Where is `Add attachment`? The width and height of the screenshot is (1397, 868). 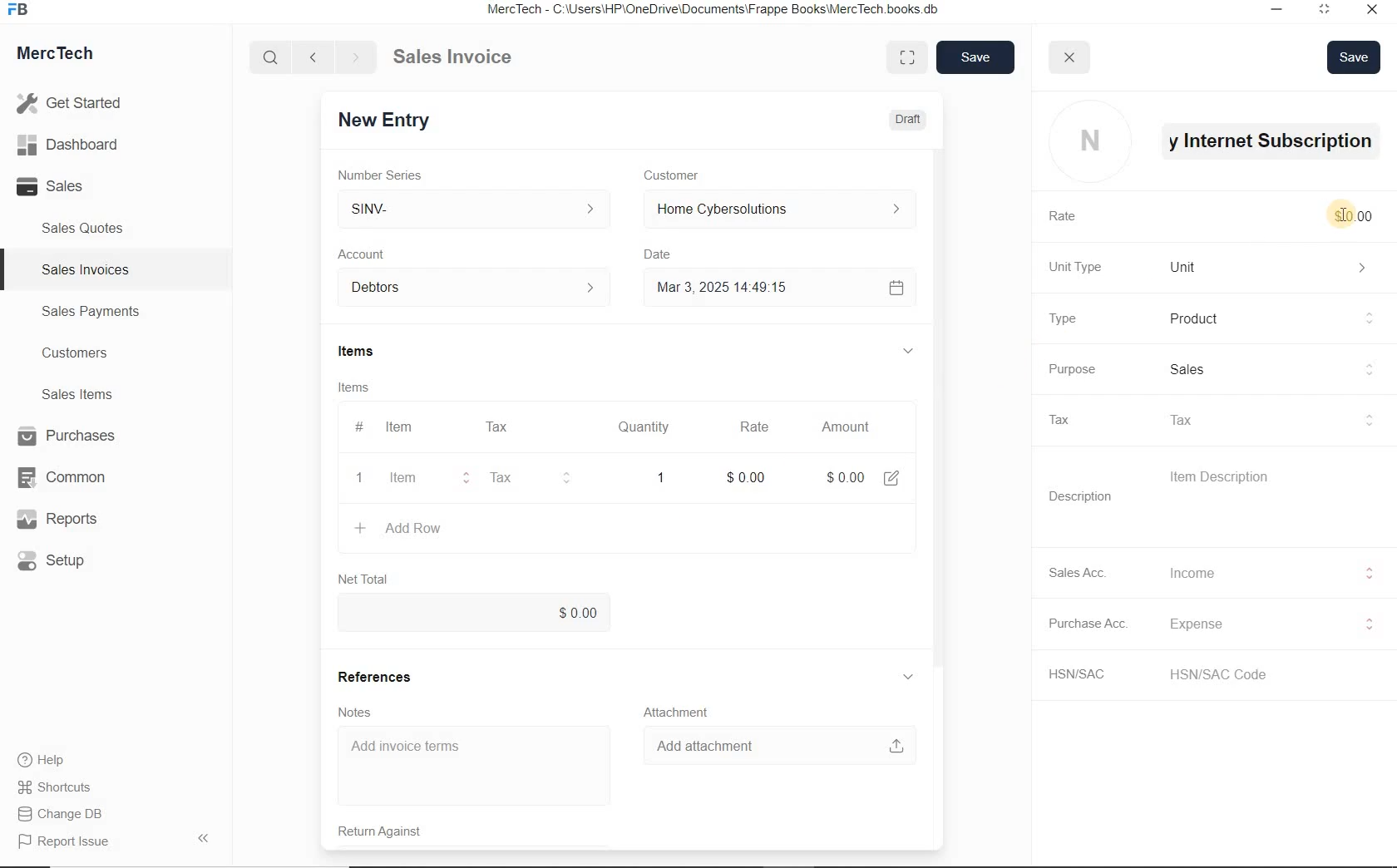
Add attachment is located at coordinates (770, 745).